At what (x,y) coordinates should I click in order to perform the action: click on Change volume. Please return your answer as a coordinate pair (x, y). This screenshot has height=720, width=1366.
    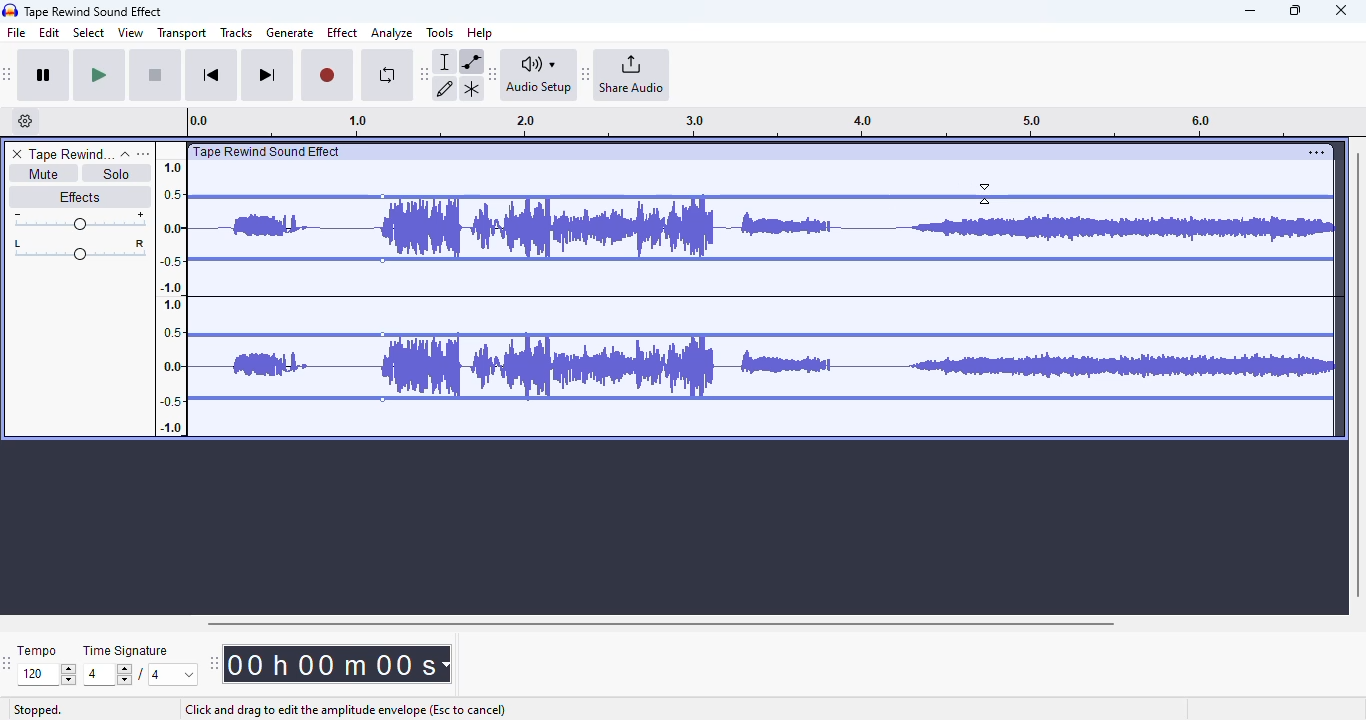
    Looking at the image, I should click on (79, 221).